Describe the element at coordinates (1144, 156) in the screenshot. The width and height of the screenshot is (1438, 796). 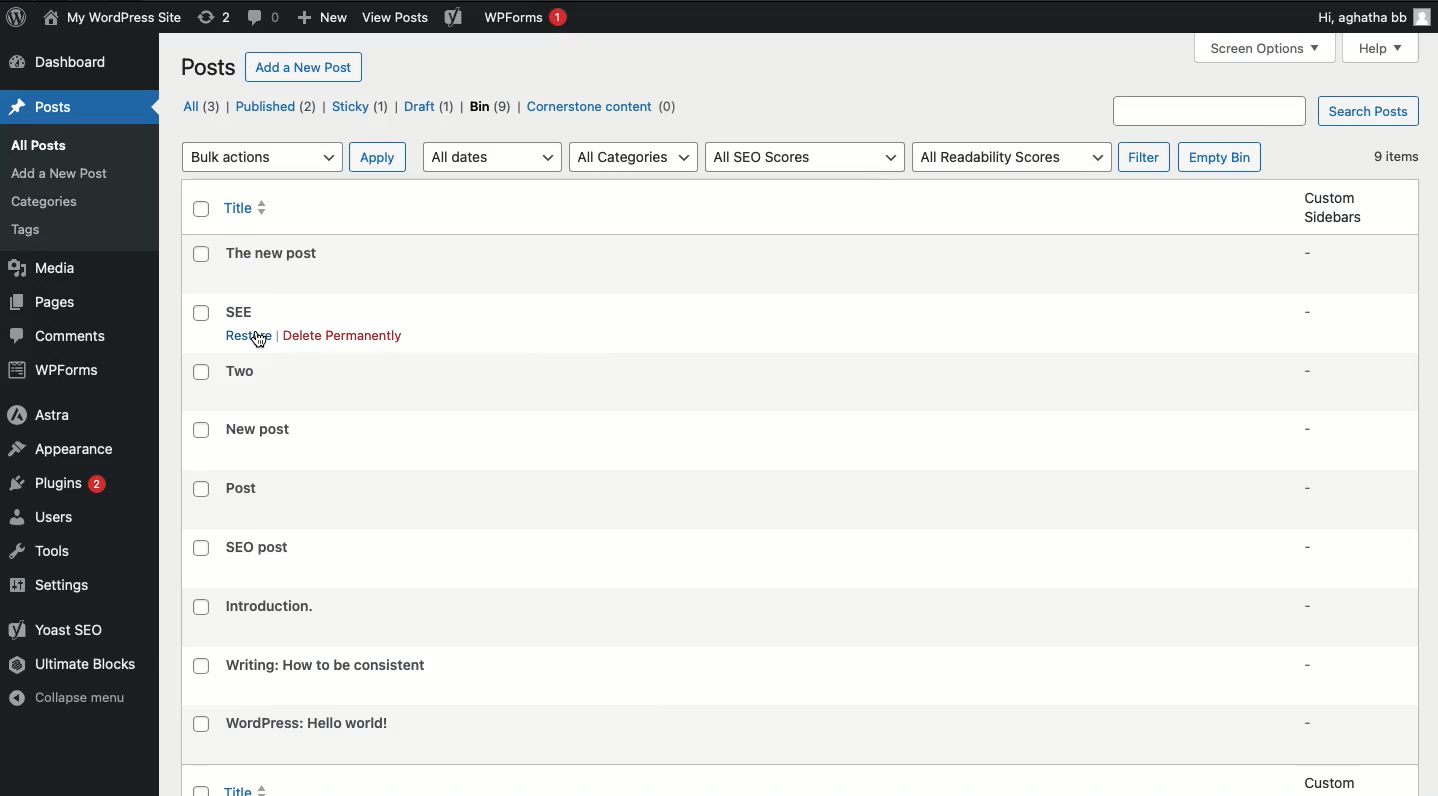
I see `filter` at that location.